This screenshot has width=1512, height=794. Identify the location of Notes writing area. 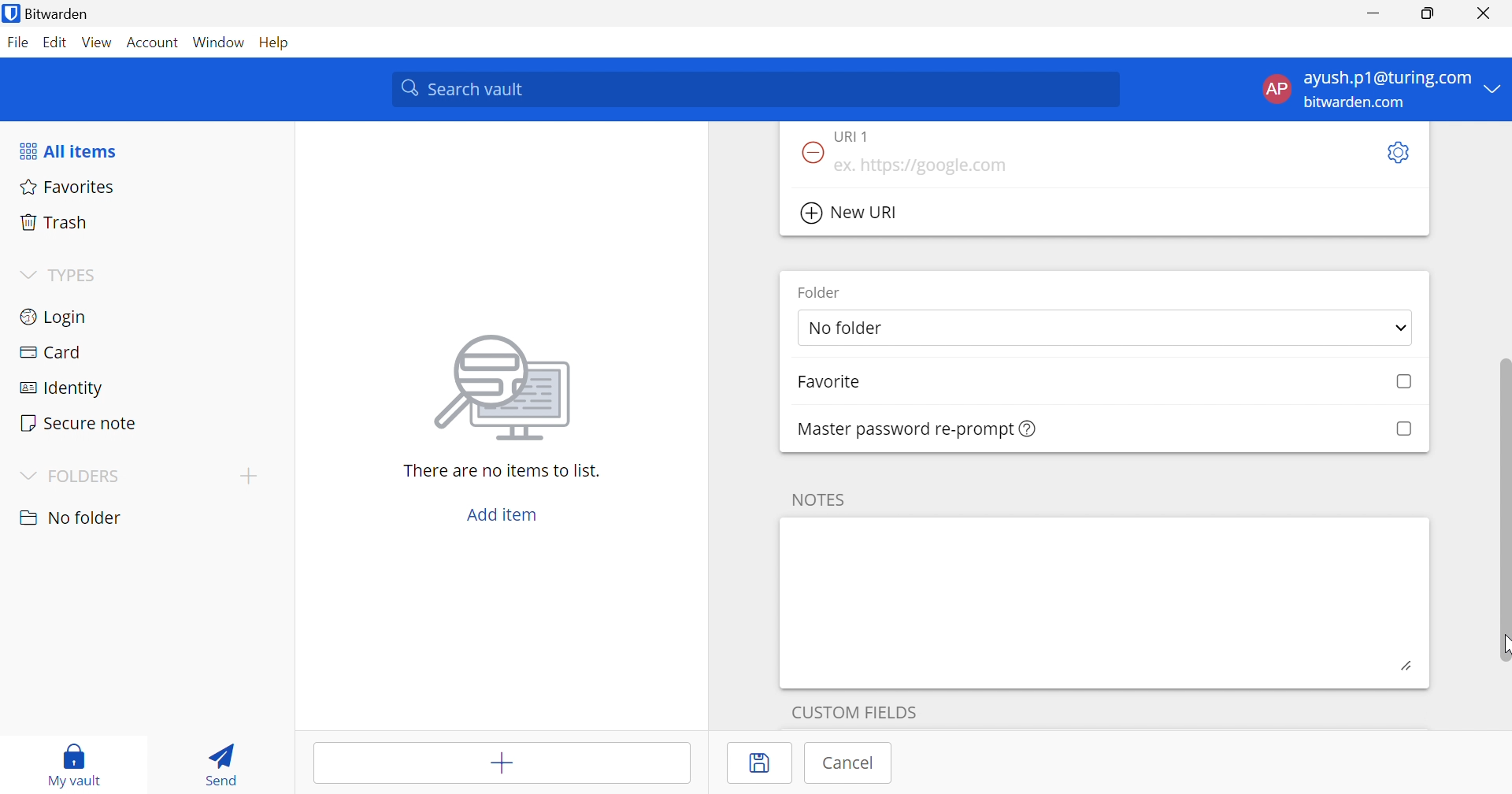
(1105, 602).